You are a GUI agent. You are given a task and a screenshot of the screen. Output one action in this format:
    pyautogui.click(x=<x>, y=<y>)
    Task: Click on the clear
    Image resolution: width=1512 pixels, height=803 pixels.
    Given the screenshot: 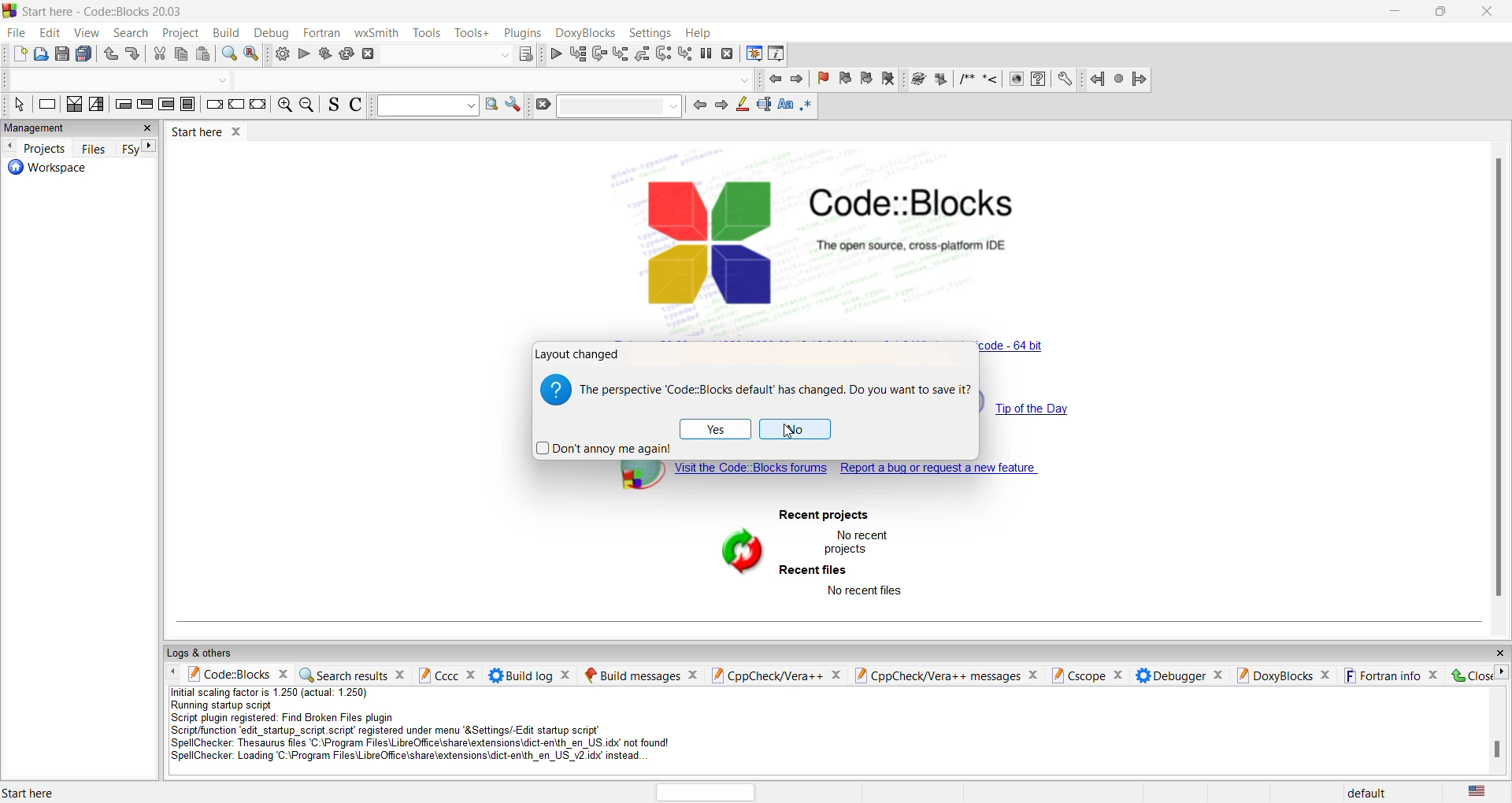 What is the action you would take?
    pyautogui.click(x=544, y=107)
    